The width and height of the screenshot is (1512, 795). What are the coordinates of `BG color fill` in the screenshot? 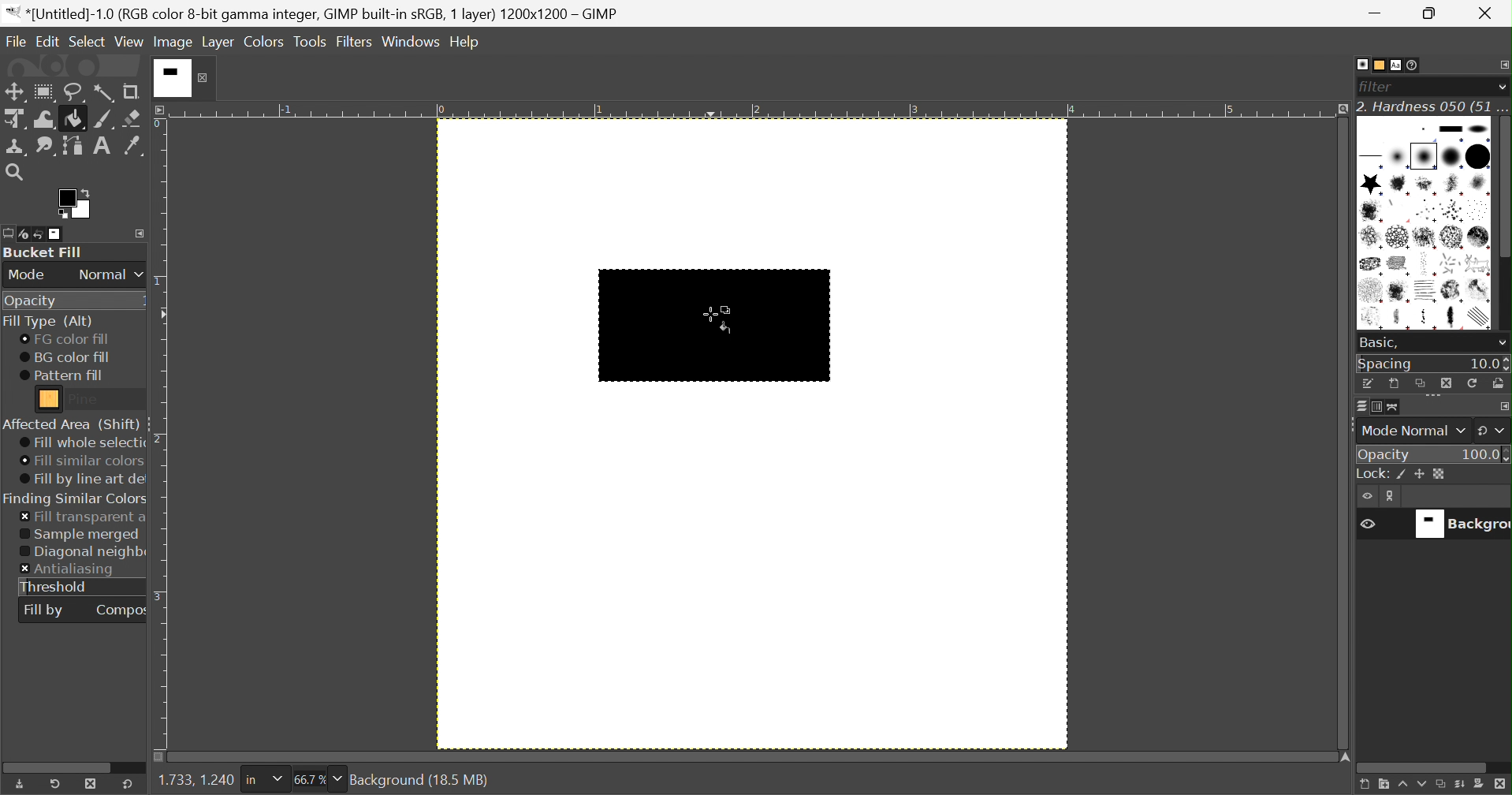 It's located at (65, 357).